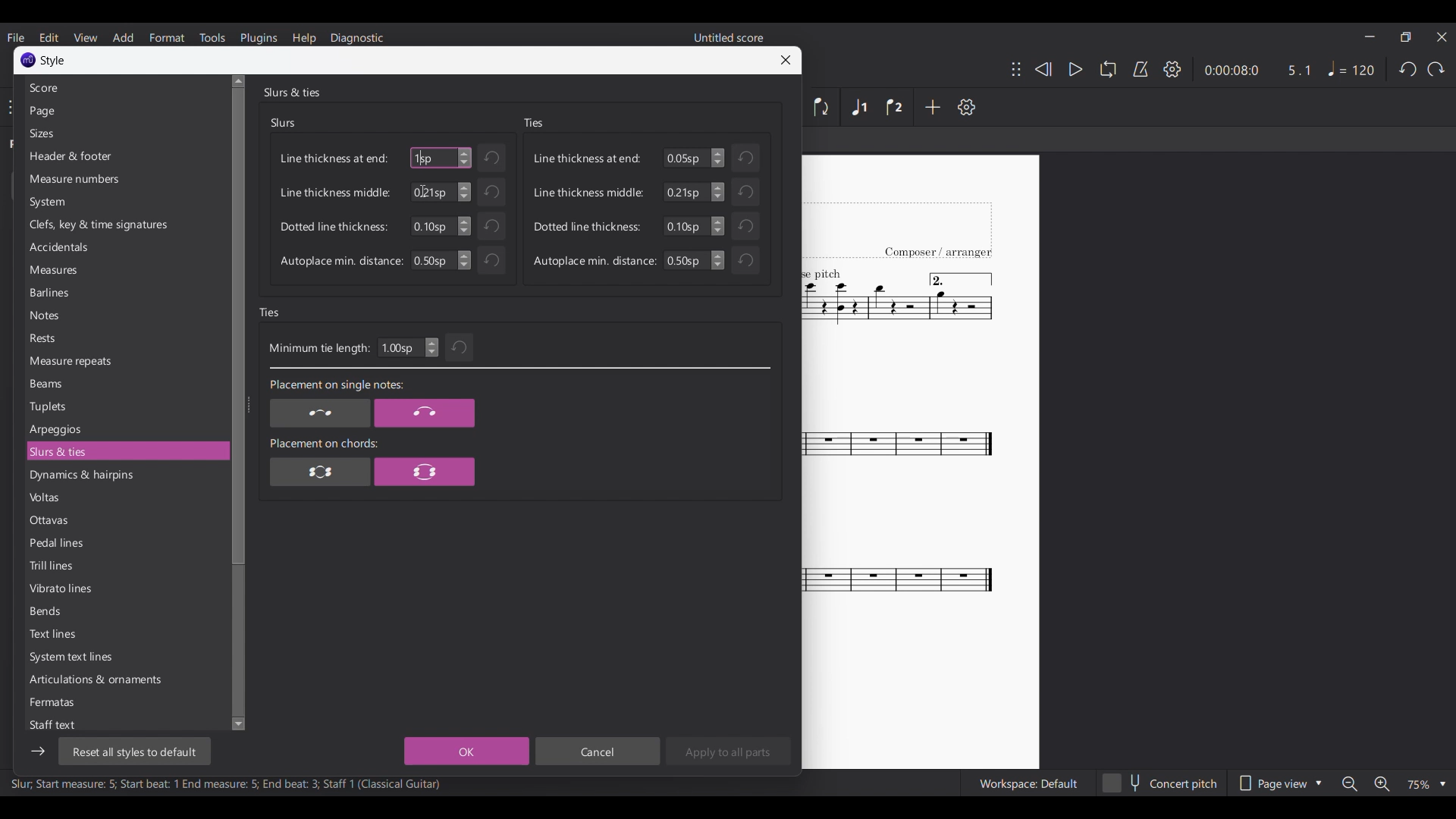 This screenshot has height=819, width=1456. Describe the element at coordinates (304, 38) in the screenshot. I see `Help menu` at that location.